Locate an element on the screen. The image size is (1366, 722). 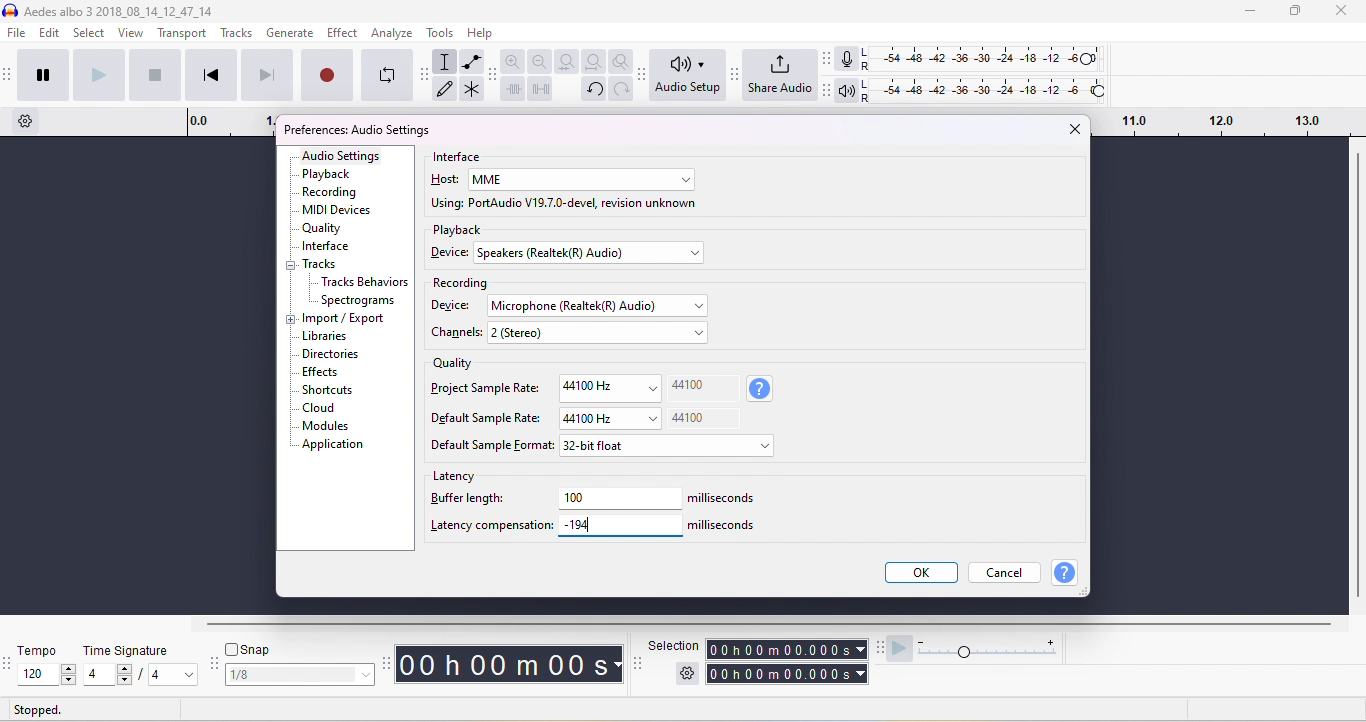
selection toolbar is located at coordinates (637, 662).